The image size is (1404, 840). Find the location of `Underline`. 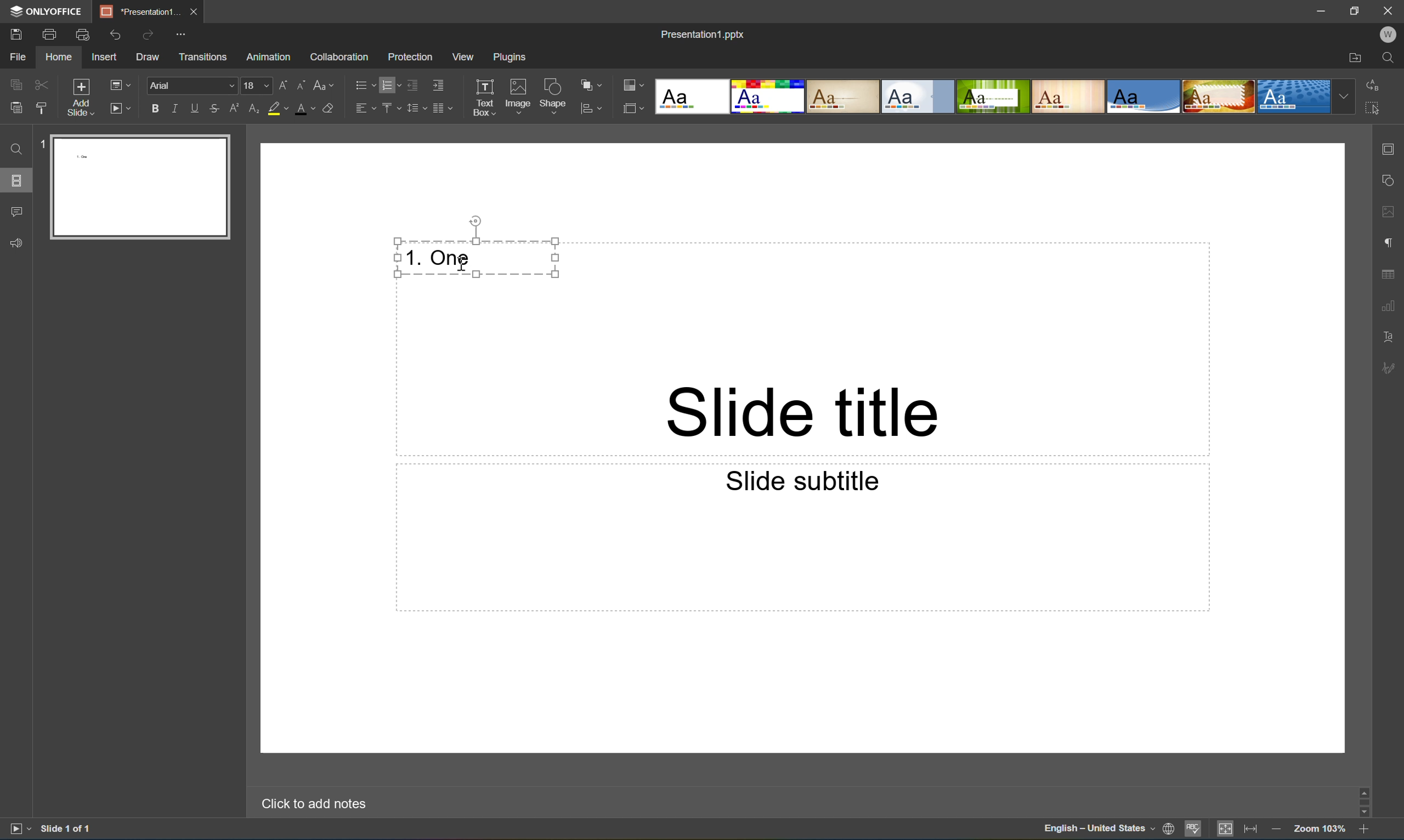

Underline is located at coordinates (198, 109).